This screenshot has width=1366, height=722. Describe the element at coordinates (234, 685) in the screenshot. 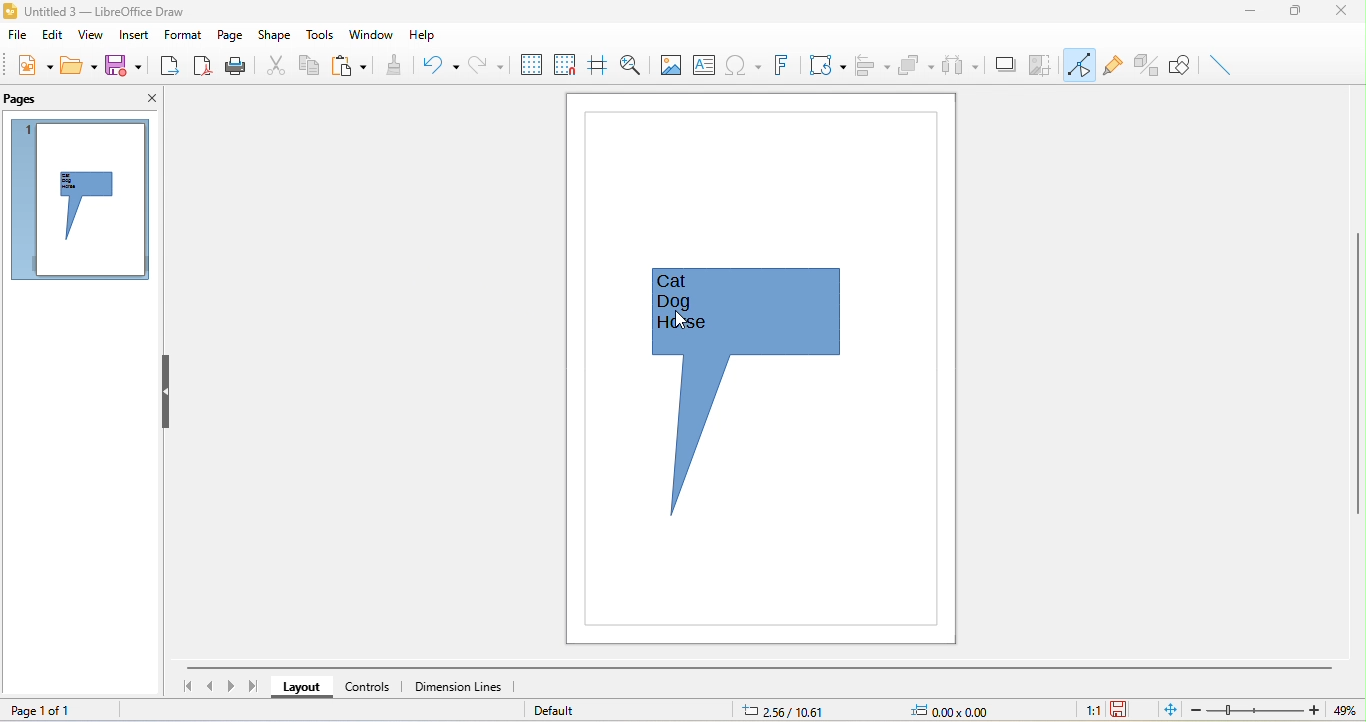

I see `next page` at that location.